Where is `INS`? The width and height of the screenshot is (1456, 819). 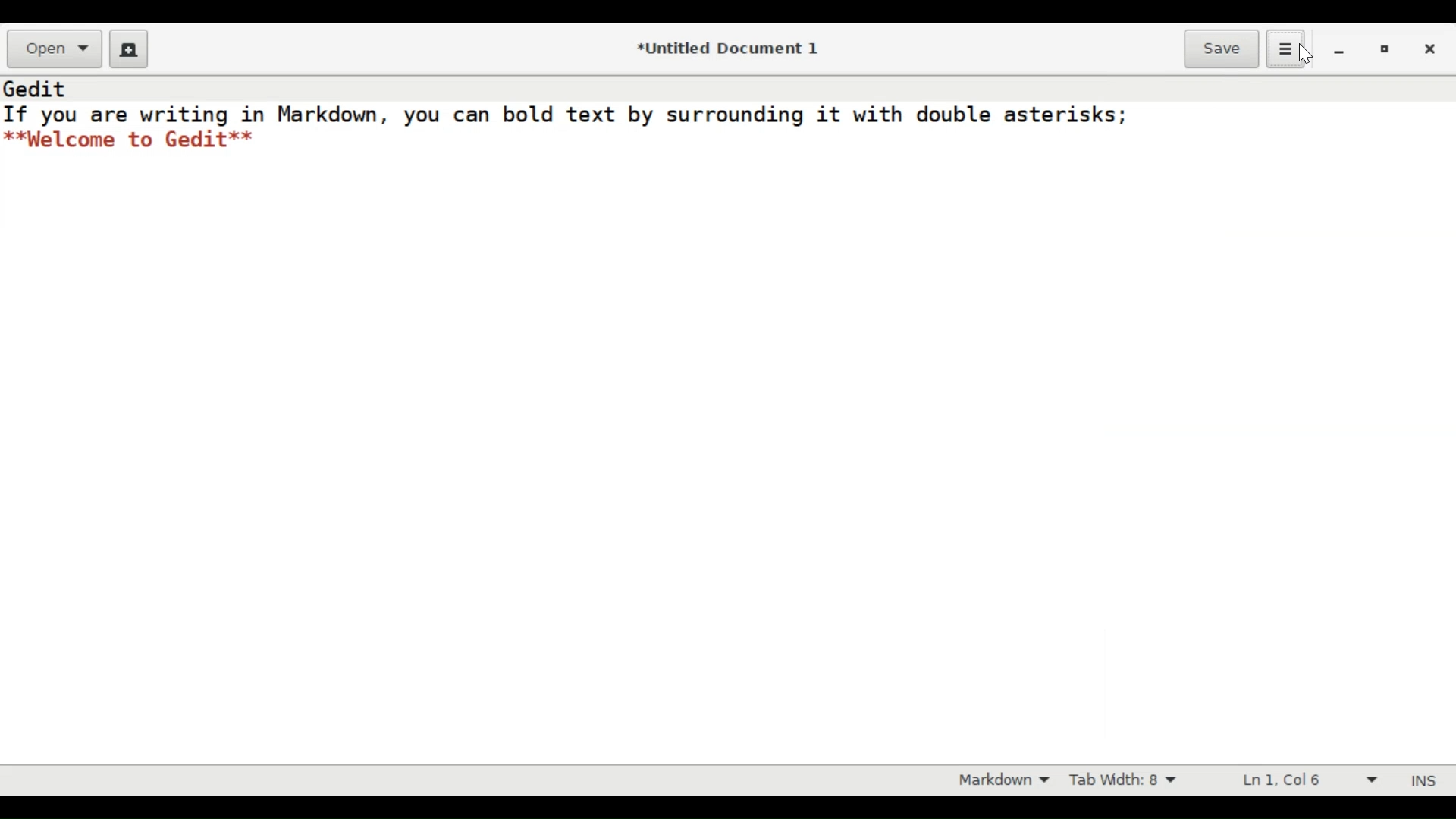 INS is located at coordinates (1426, 780).